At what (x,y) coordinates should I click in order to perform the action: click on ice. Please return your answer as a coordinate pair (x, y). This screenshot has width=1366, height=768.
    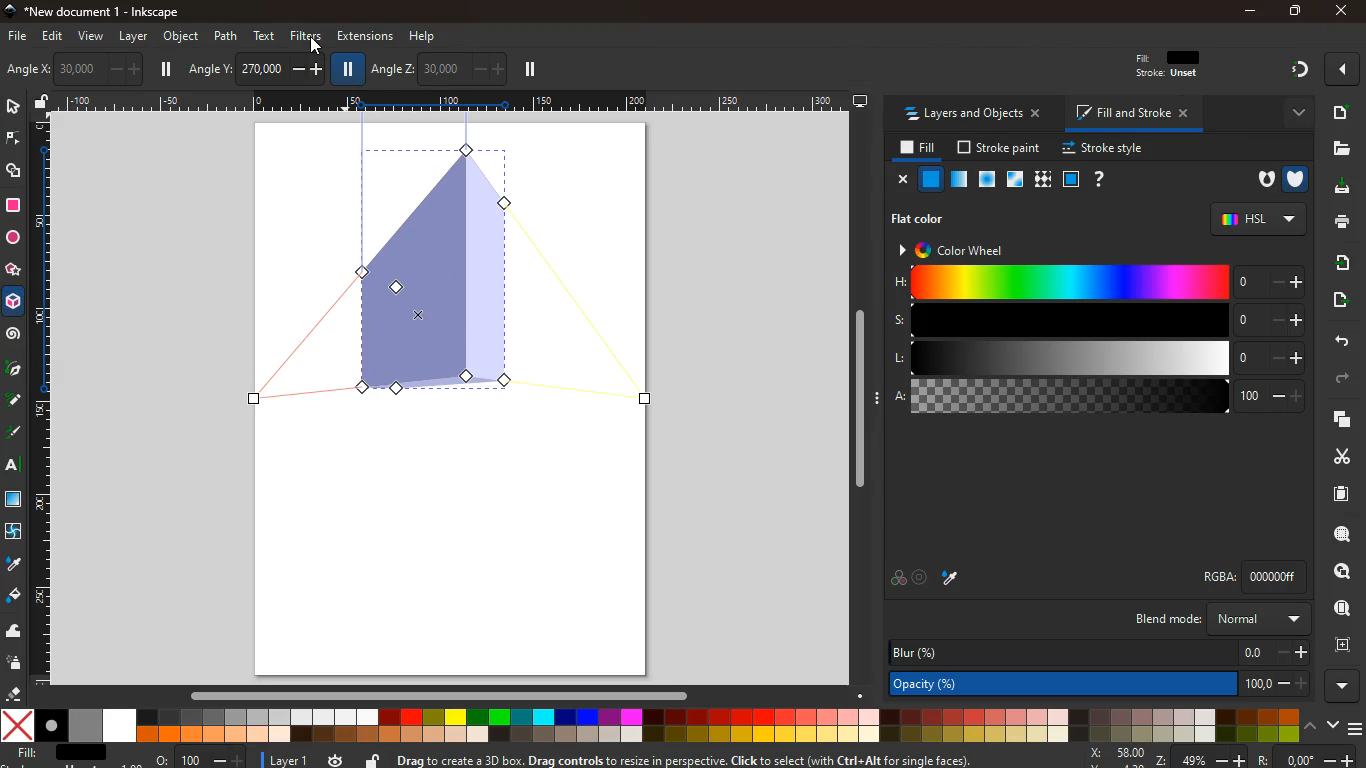
    Looking at the image, I should click on (984, 179).